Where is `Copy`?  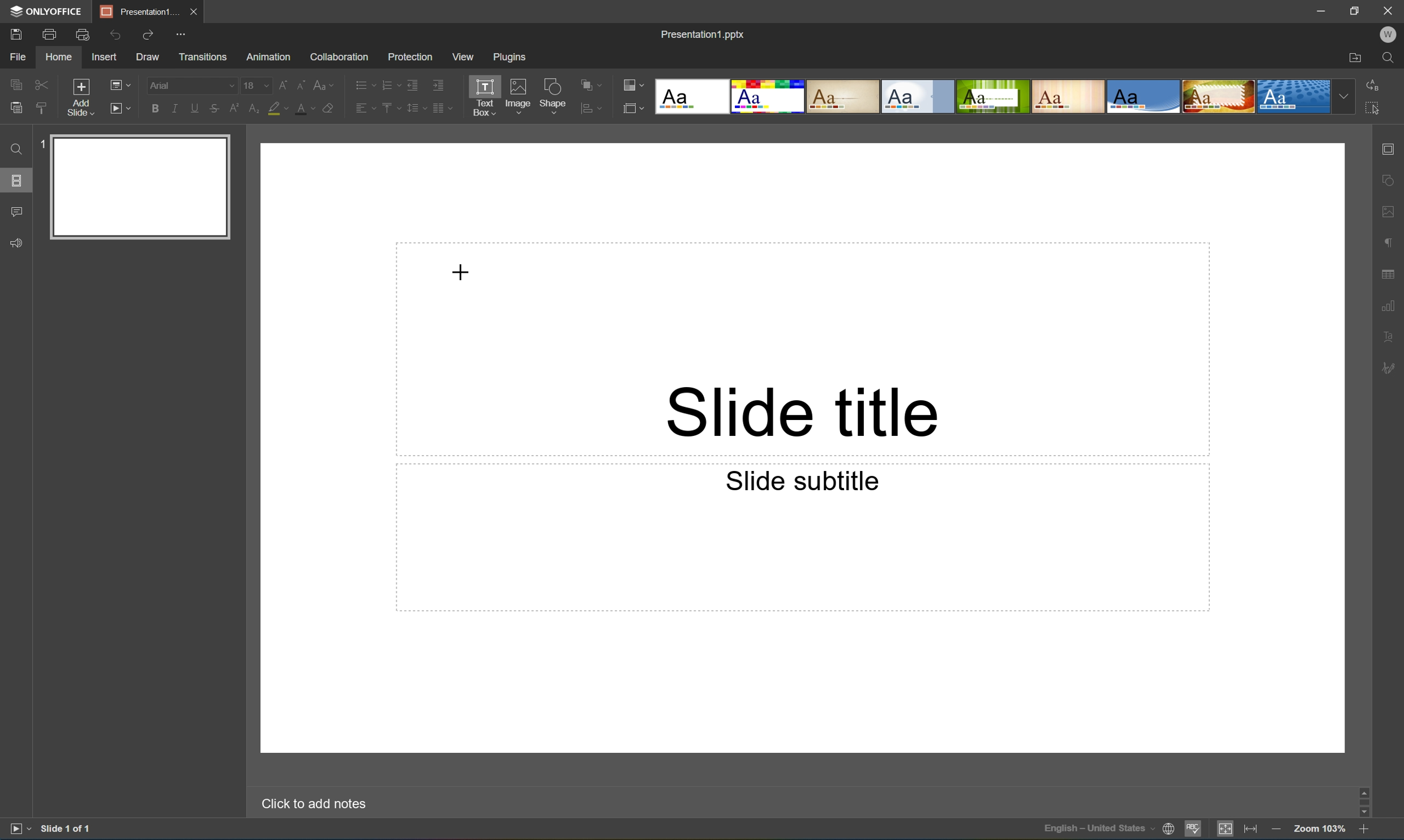
Copy is located at coordinates (16, 84).